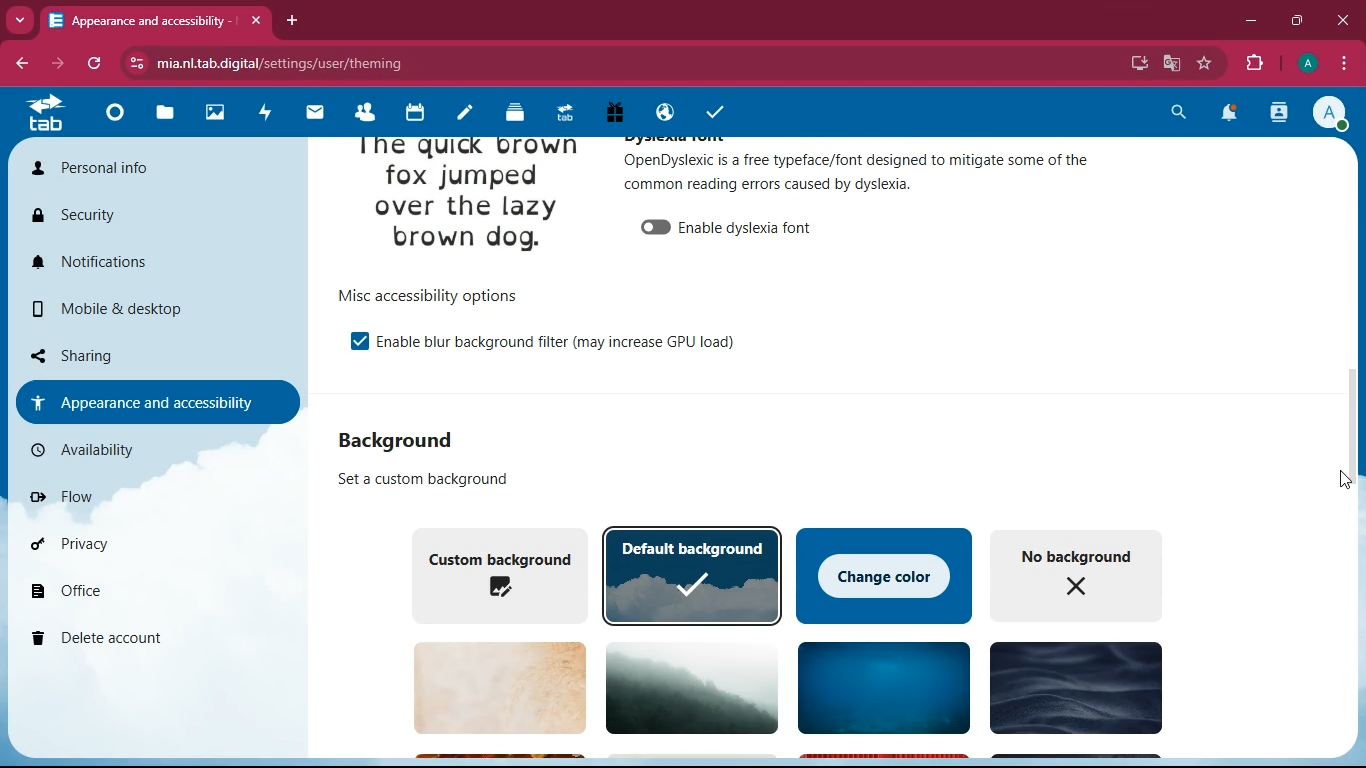 The height and width of the screenshot is (768, 1366). I want to click on description, so click(413, 479).